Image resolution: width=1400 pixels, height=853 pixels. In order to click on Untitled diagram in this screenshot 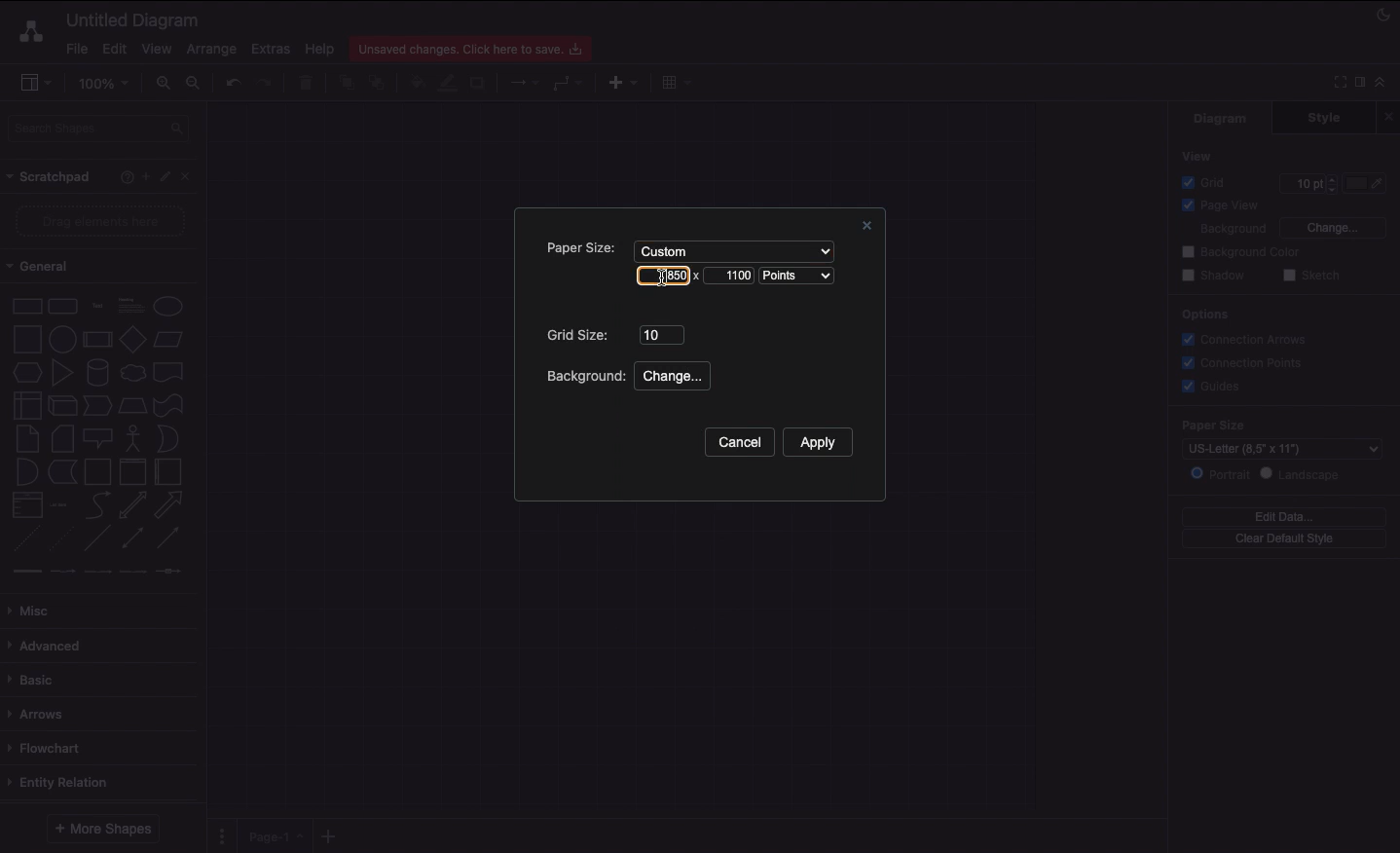, I will do `click(133, 19)`.